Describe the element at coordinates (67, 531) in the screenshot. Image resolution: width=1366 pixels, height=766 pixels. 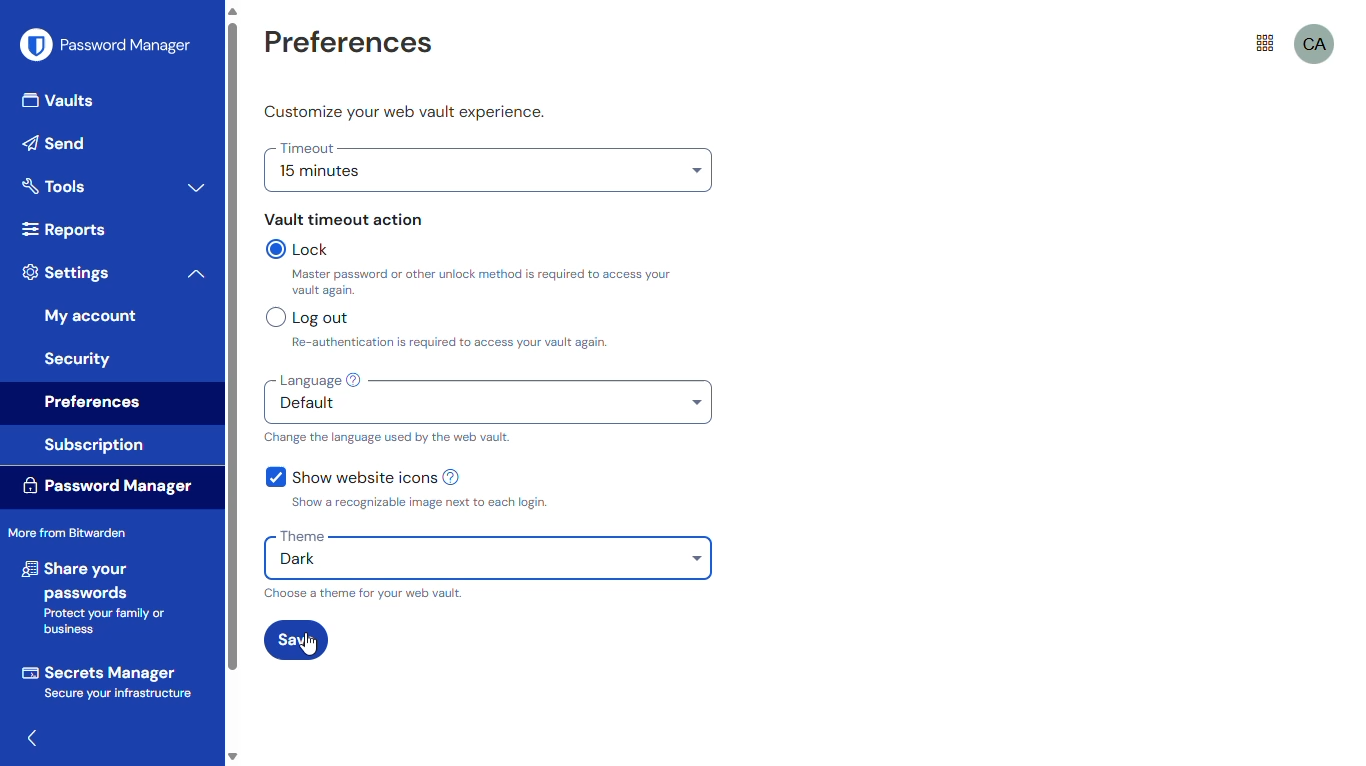
I see `more from bitwarden` at that location.